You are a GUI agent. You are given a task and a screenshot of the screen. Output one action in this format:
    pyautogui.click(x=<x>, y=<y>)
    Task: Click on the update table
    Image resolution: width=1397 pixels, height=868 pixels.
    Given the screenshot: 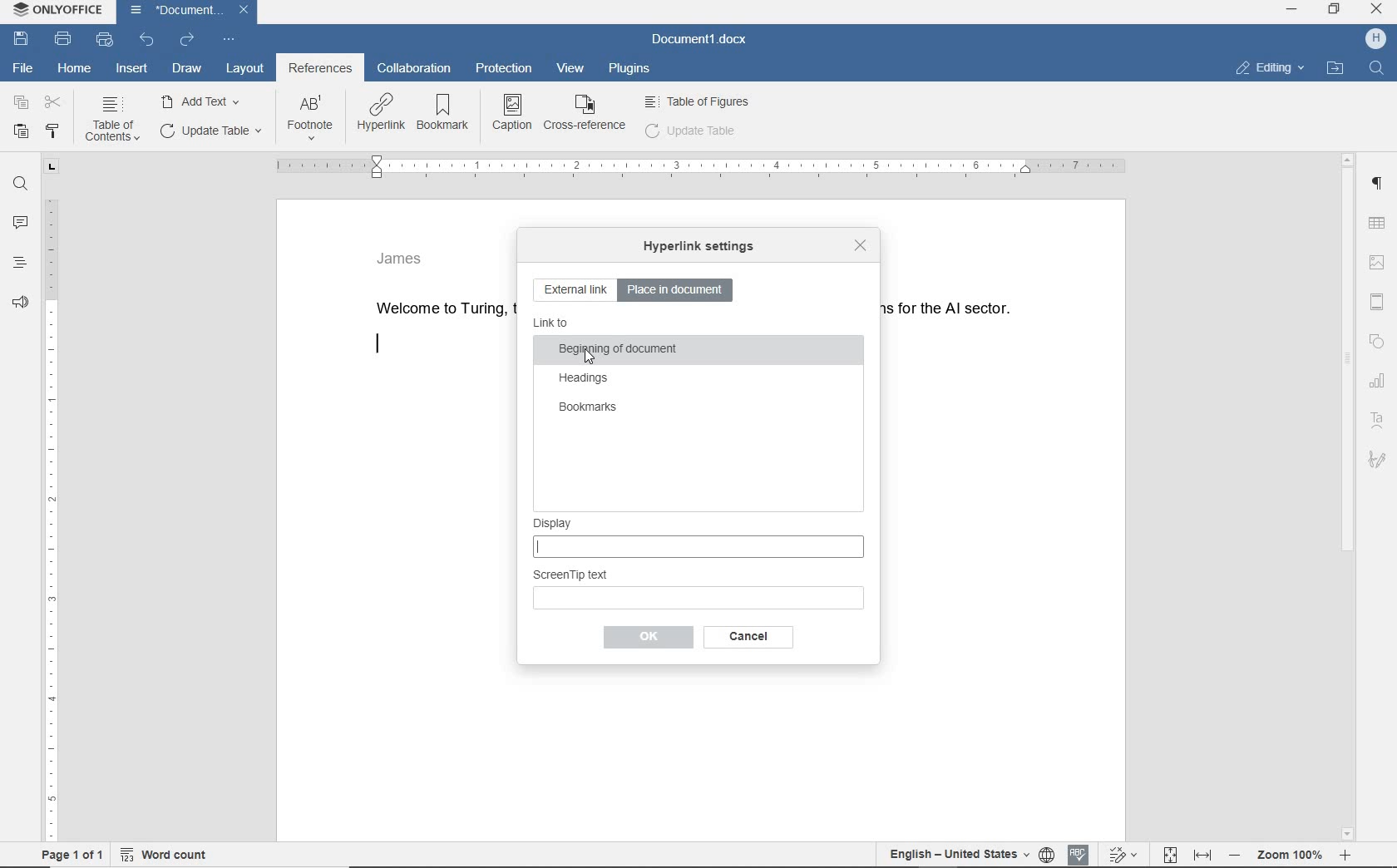 What is the action you would take?
    pyautogui.click(x=691, y=131)
    